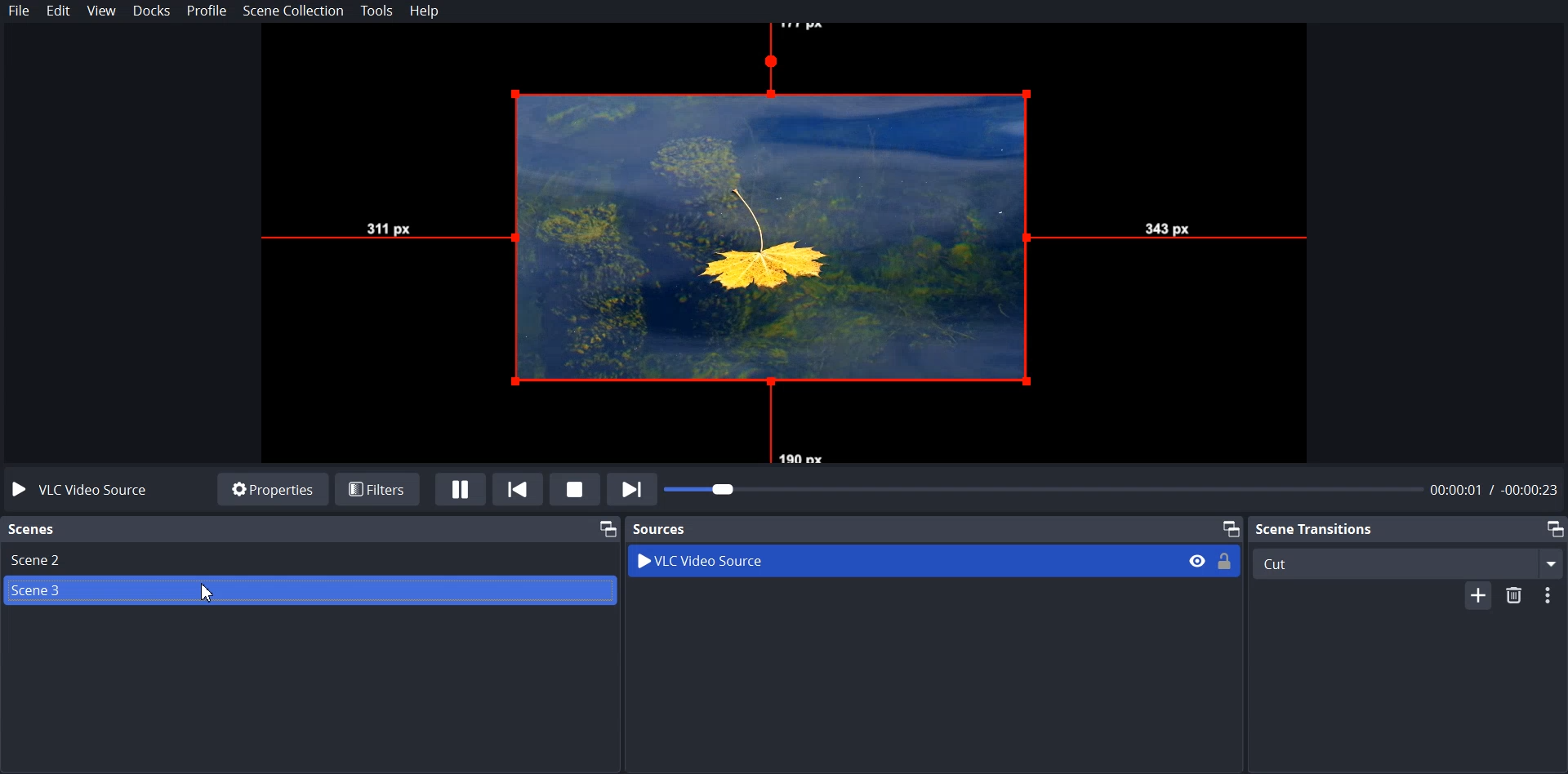 This screenshot has width=1568, height=774. What do you see at coordinates (378, 487) in the screenshot?
I see `Filters` at bounding box center [378, 487].